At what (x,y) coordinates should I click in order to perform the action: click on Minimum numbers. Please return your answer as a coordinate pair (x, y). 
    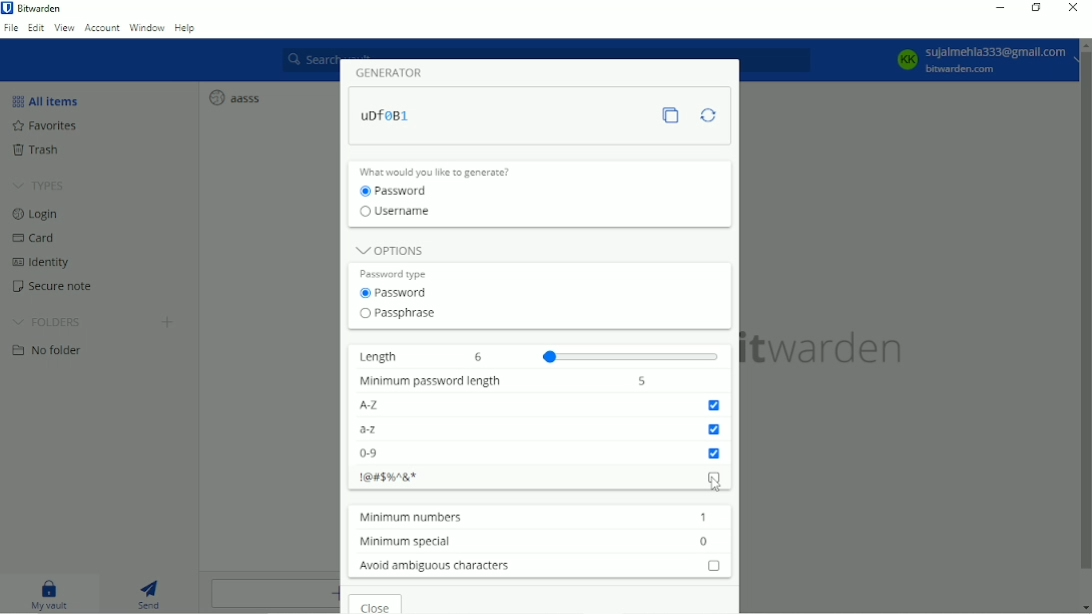
    Looking at the image, I should click on (410, 518).